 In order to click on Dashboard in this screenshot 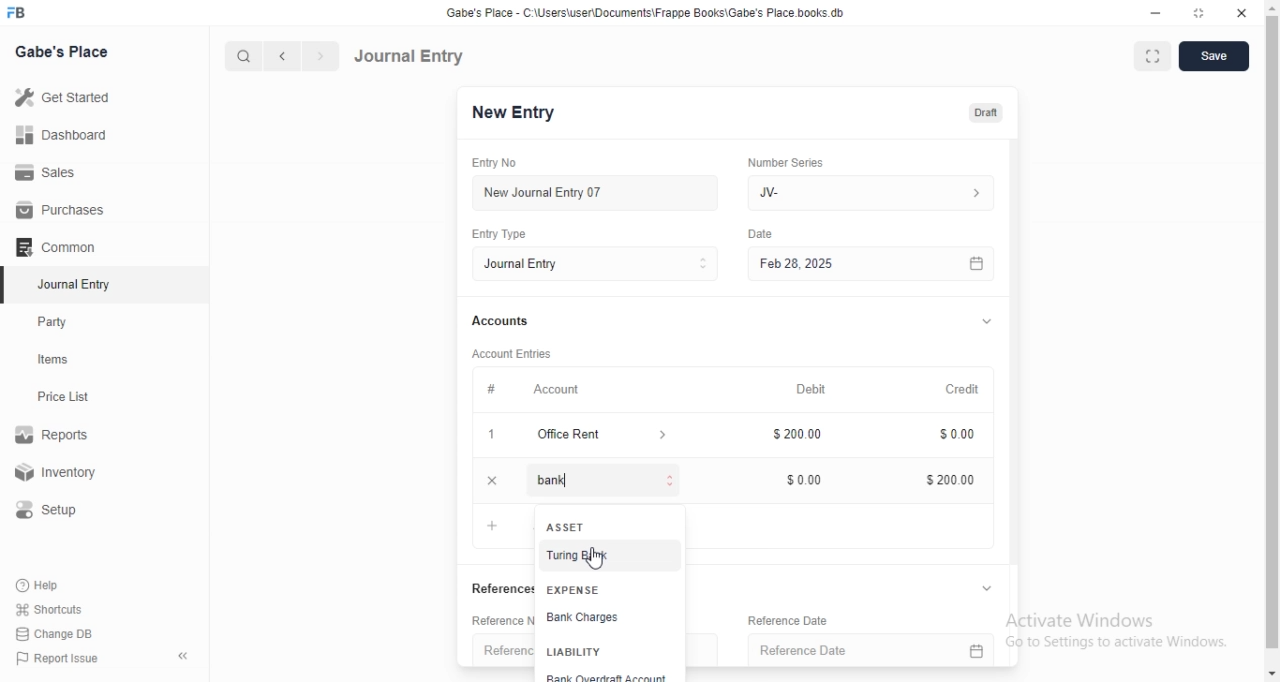, I will do `click(59, 135)`.